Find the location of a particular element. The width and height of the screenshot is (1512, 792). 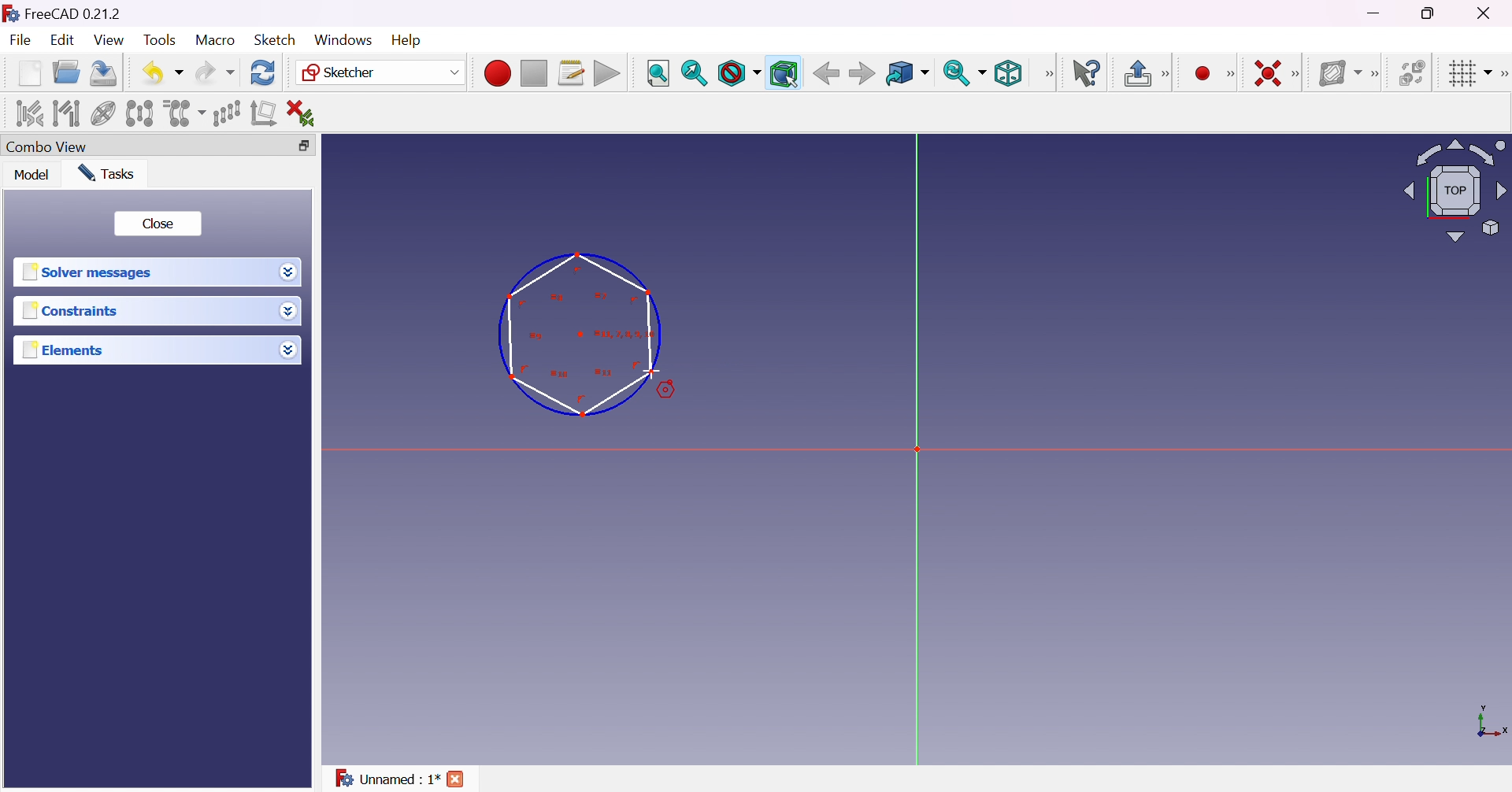

Select associated geometry is located at coordinates (66, 113).